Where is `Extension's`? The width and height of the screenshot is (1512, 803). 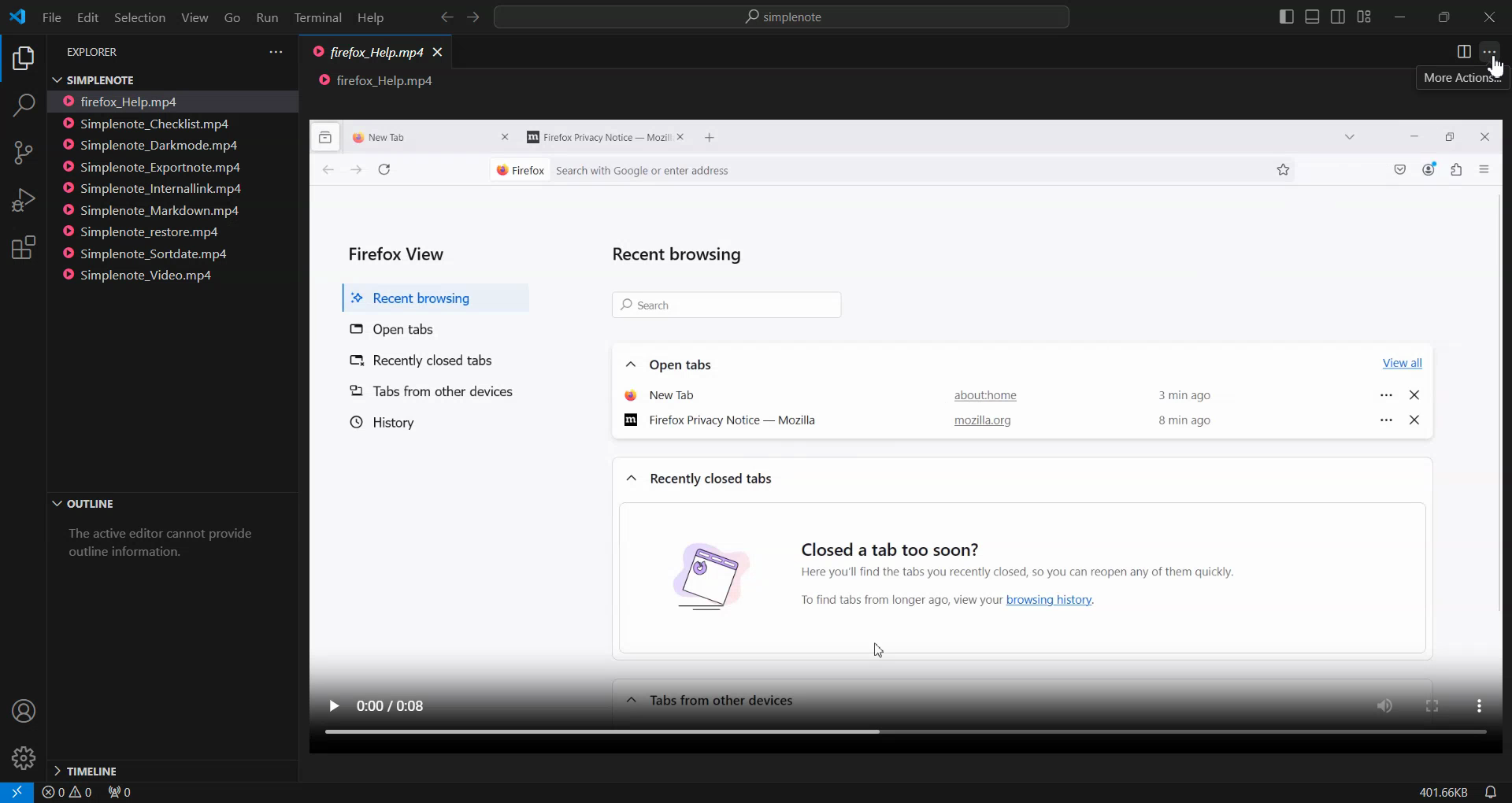
Extension's is located at coordinates (24, 249).